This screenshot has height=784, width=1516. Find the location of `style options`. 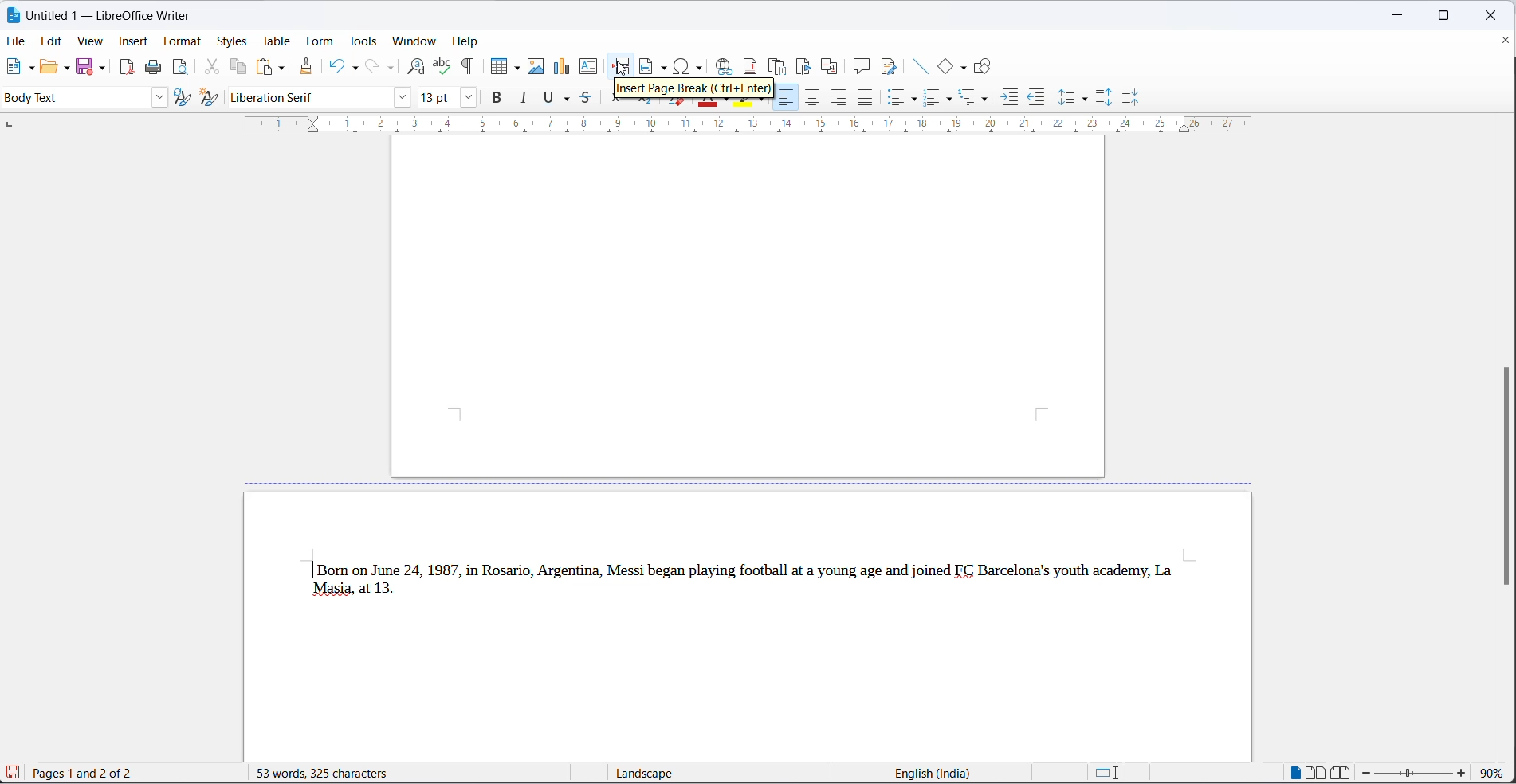

style options is located at coordinates (73, 98).